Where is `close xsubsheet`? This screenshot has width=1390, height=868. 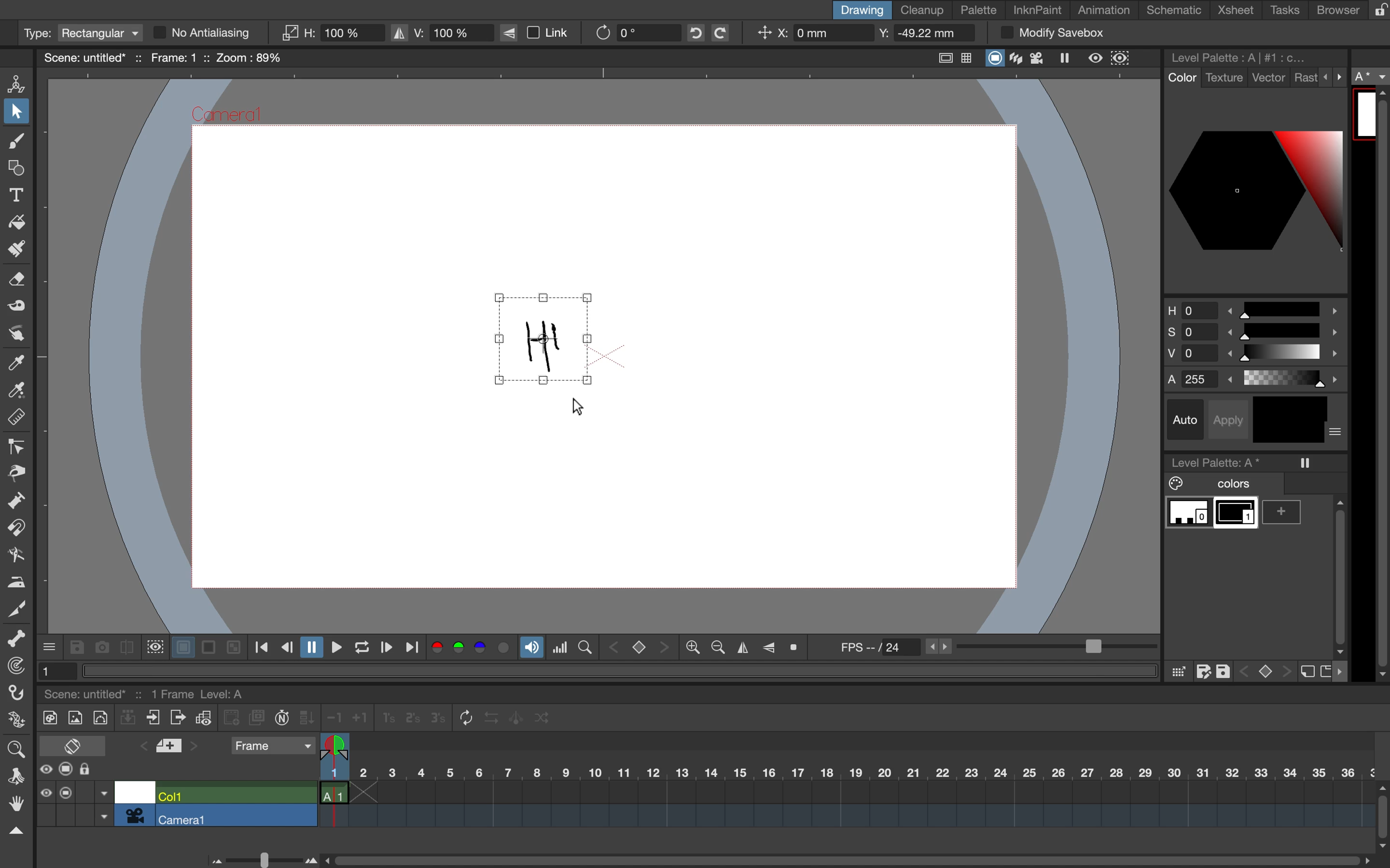
close xsubsheet is located at coordinates (153, 718).